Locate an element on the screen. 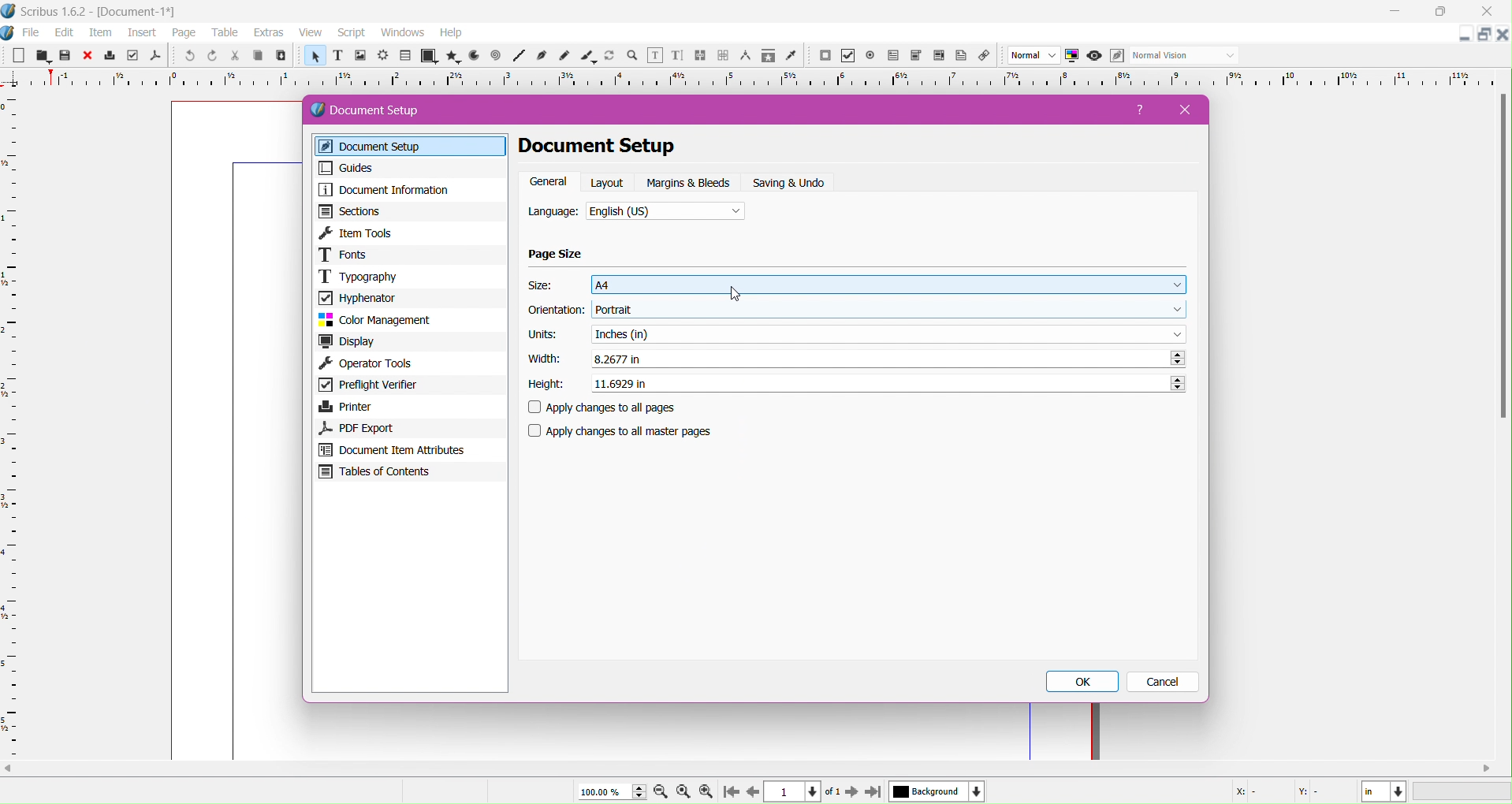 The image size is (1512, 804).  is located at coordinates (156, 56).